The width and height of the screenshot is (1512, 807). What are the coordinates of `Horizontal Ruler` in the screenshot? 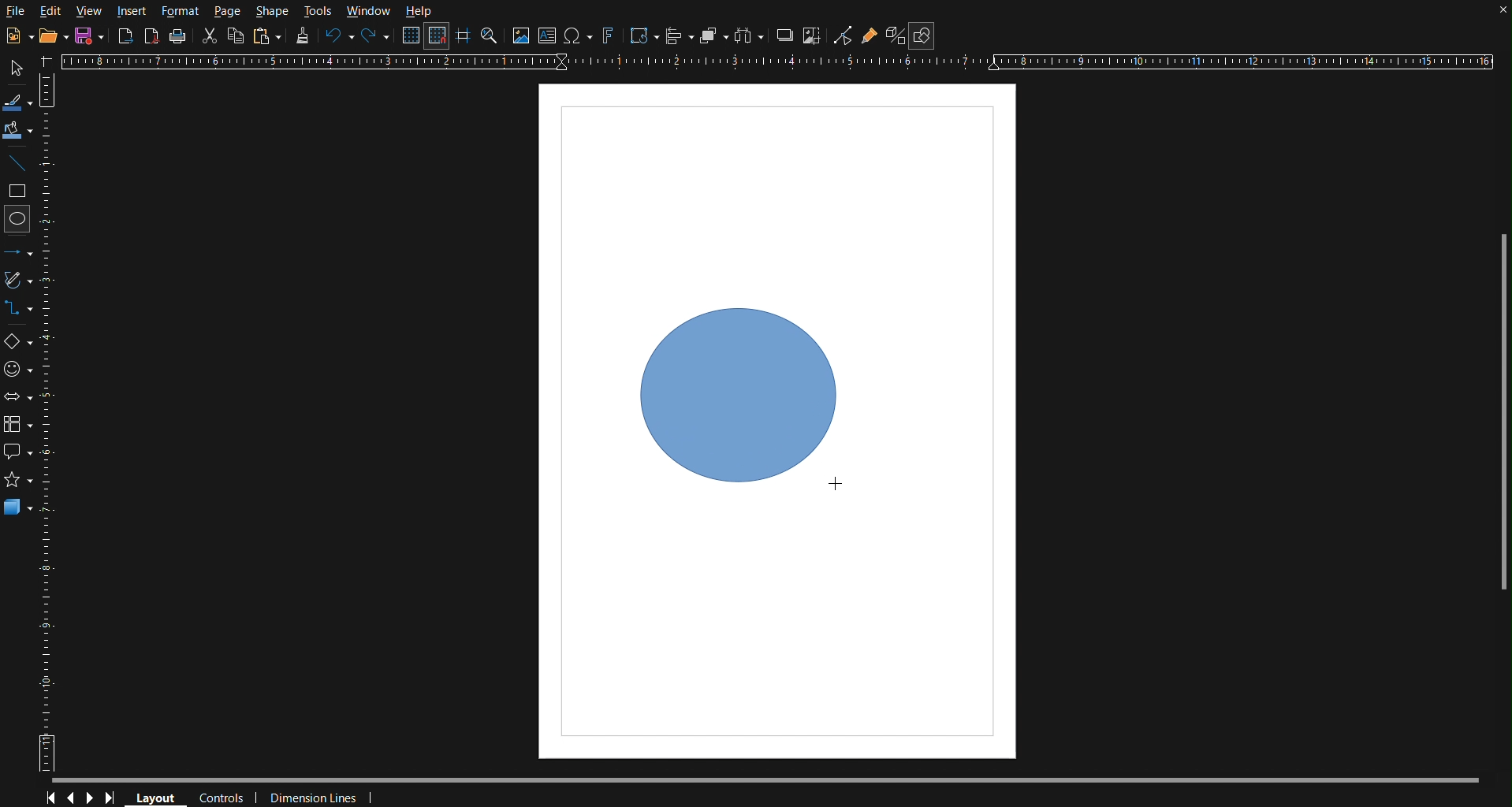 It's located at (784, 62).